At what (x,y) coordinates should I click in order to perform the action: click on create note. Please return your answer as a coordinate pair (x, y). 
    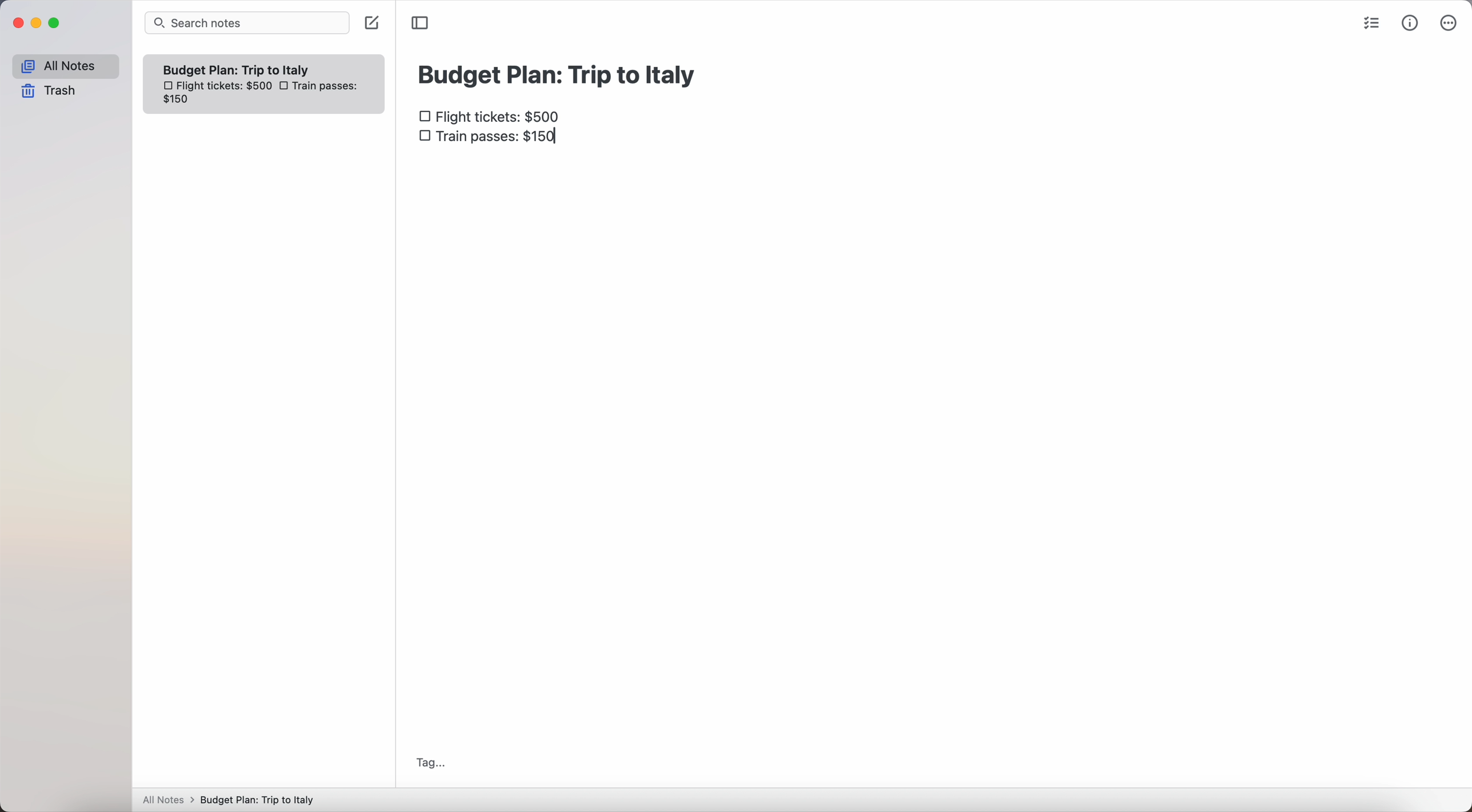
    Looking at the image, I should click on (371, 24).